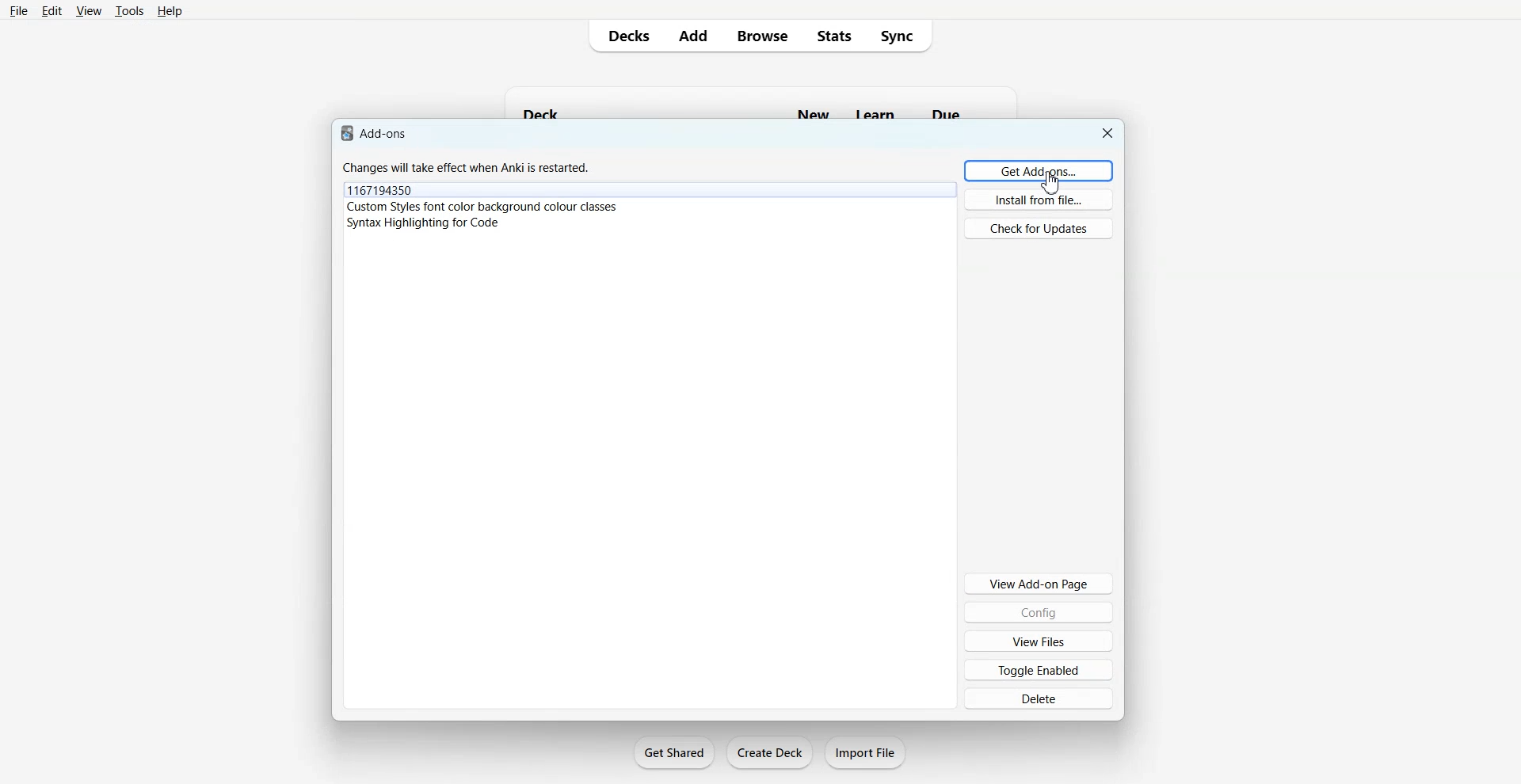  Describe the element at coordinates (1039, 583) in the screenshot. I see `View Add-on Page` at that location.